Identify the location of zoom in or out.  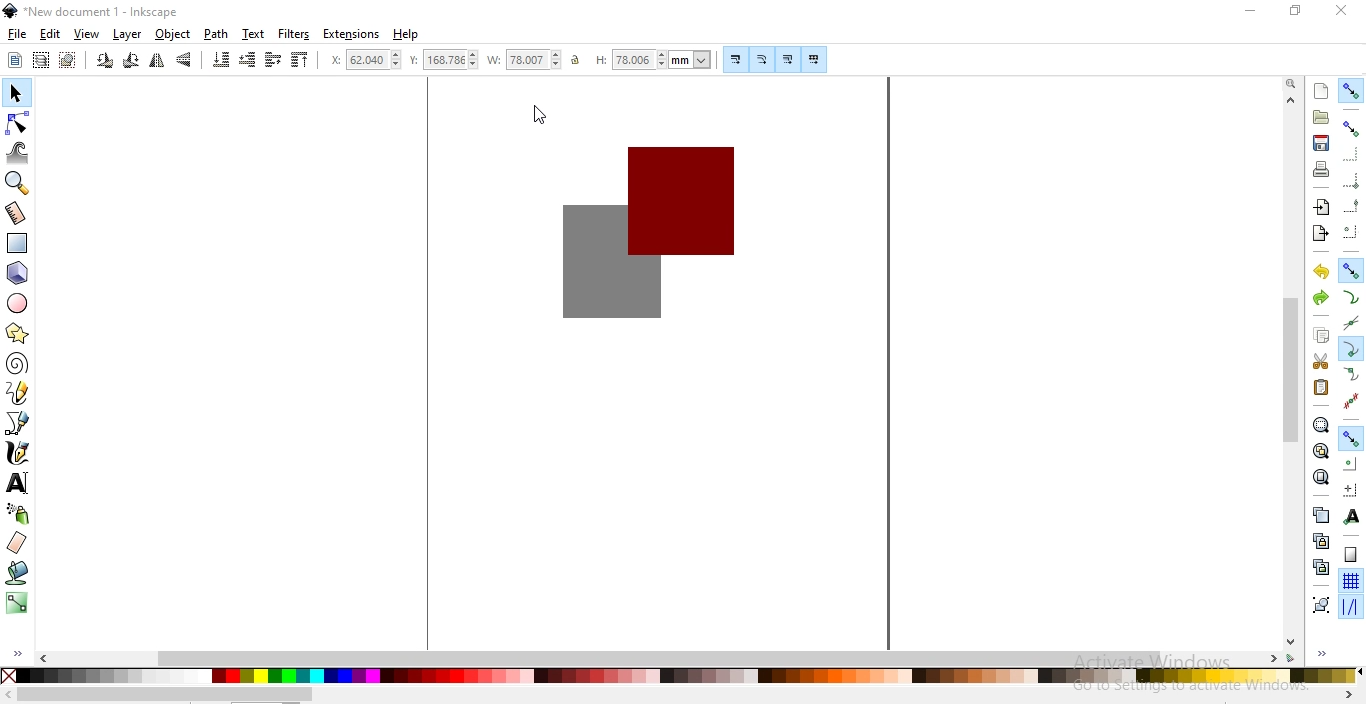
(15, 183).